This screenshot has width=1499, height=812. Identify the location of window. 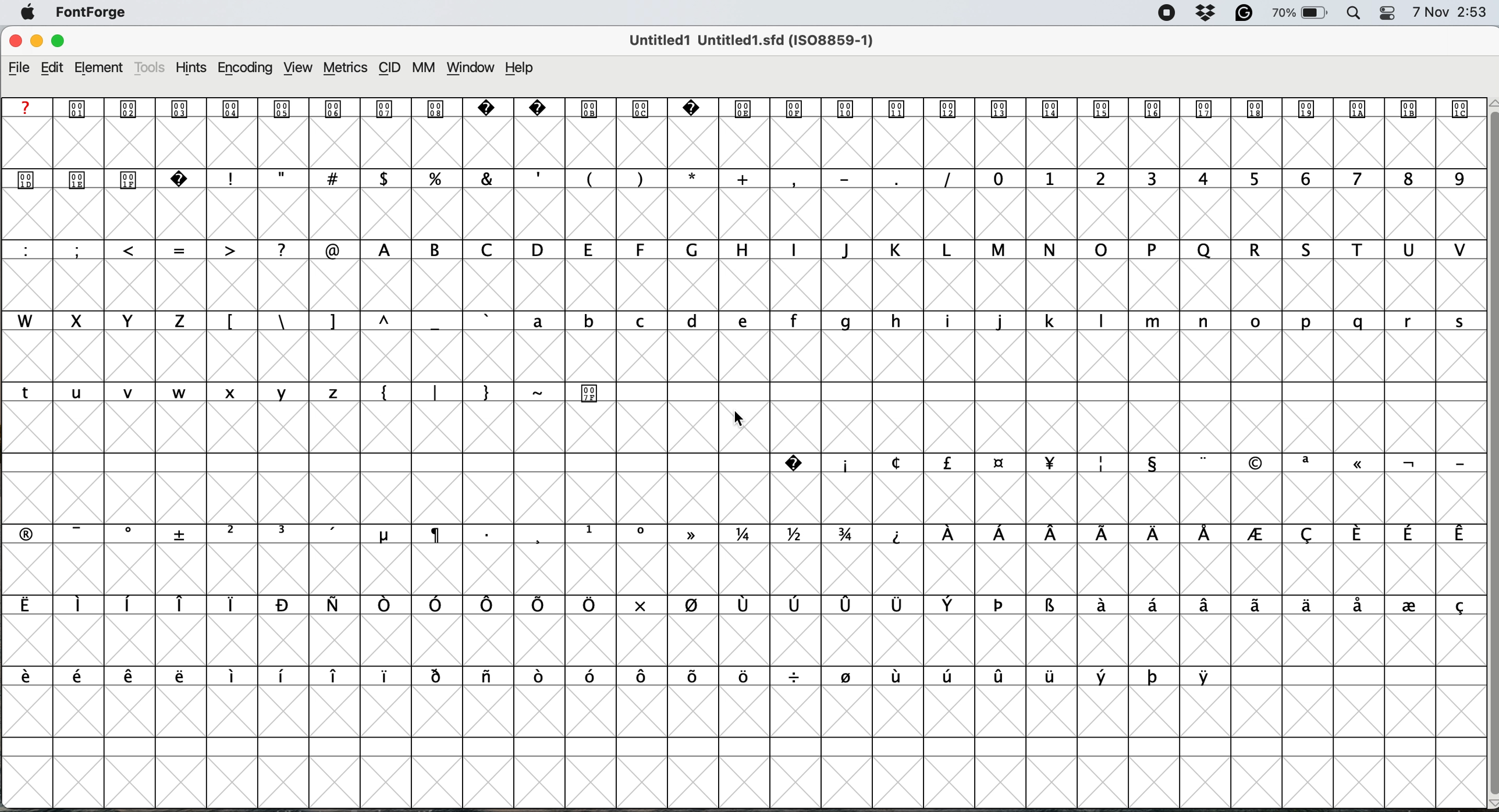
(474, 69).